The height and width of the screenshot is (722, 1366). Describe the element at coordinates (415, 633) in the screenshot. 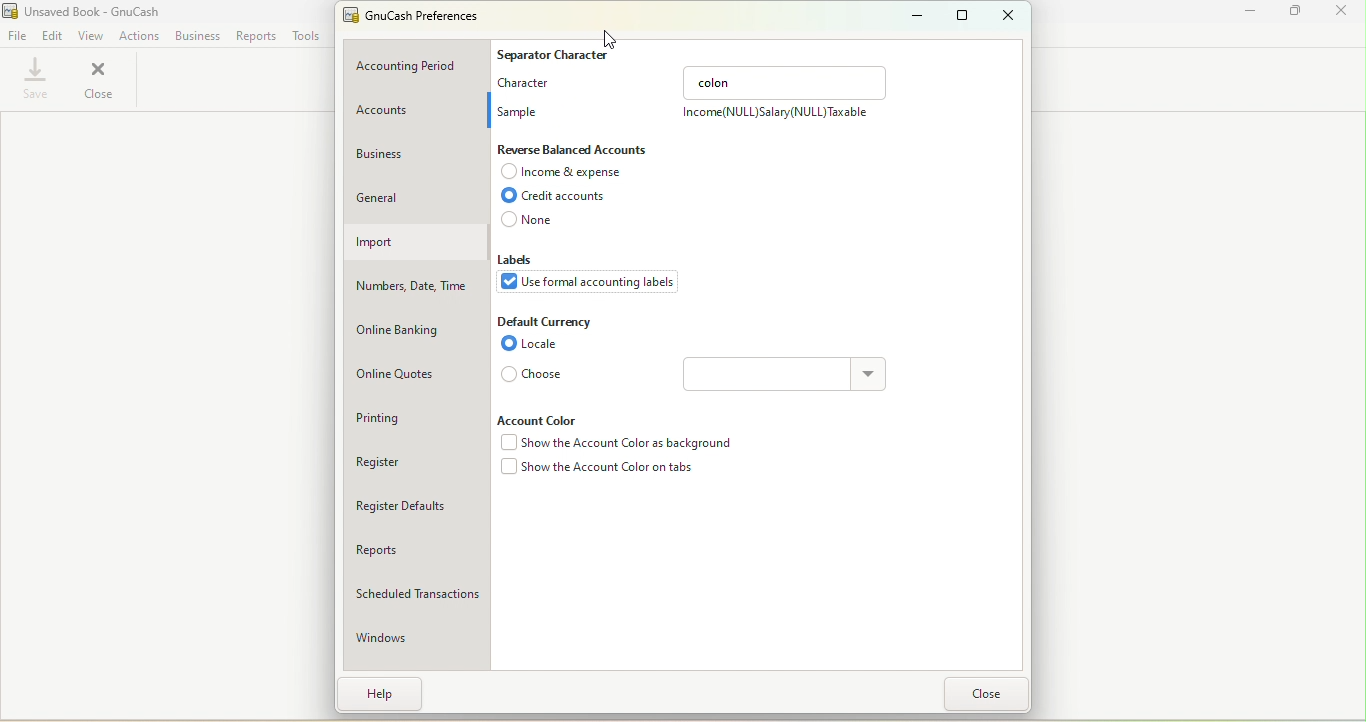

I see `Windows` at that location.